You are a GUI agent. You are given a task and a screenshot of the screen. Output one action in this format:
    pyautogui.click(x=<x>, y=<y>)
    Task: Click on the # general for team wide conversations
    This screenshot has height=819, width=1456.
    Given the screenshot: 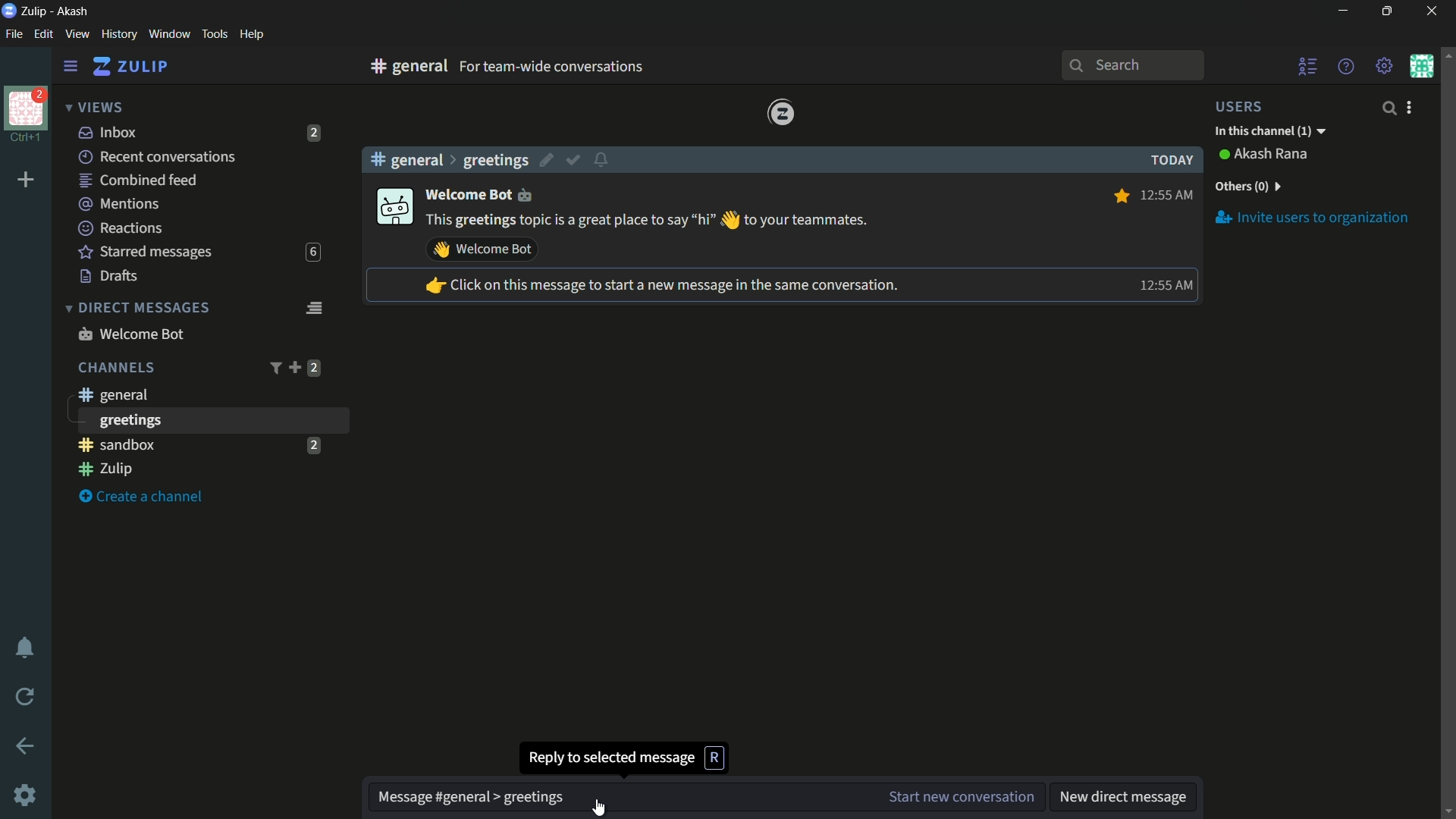 What is the action you would take?
    pyautogui.click(x=578, y=66)
    